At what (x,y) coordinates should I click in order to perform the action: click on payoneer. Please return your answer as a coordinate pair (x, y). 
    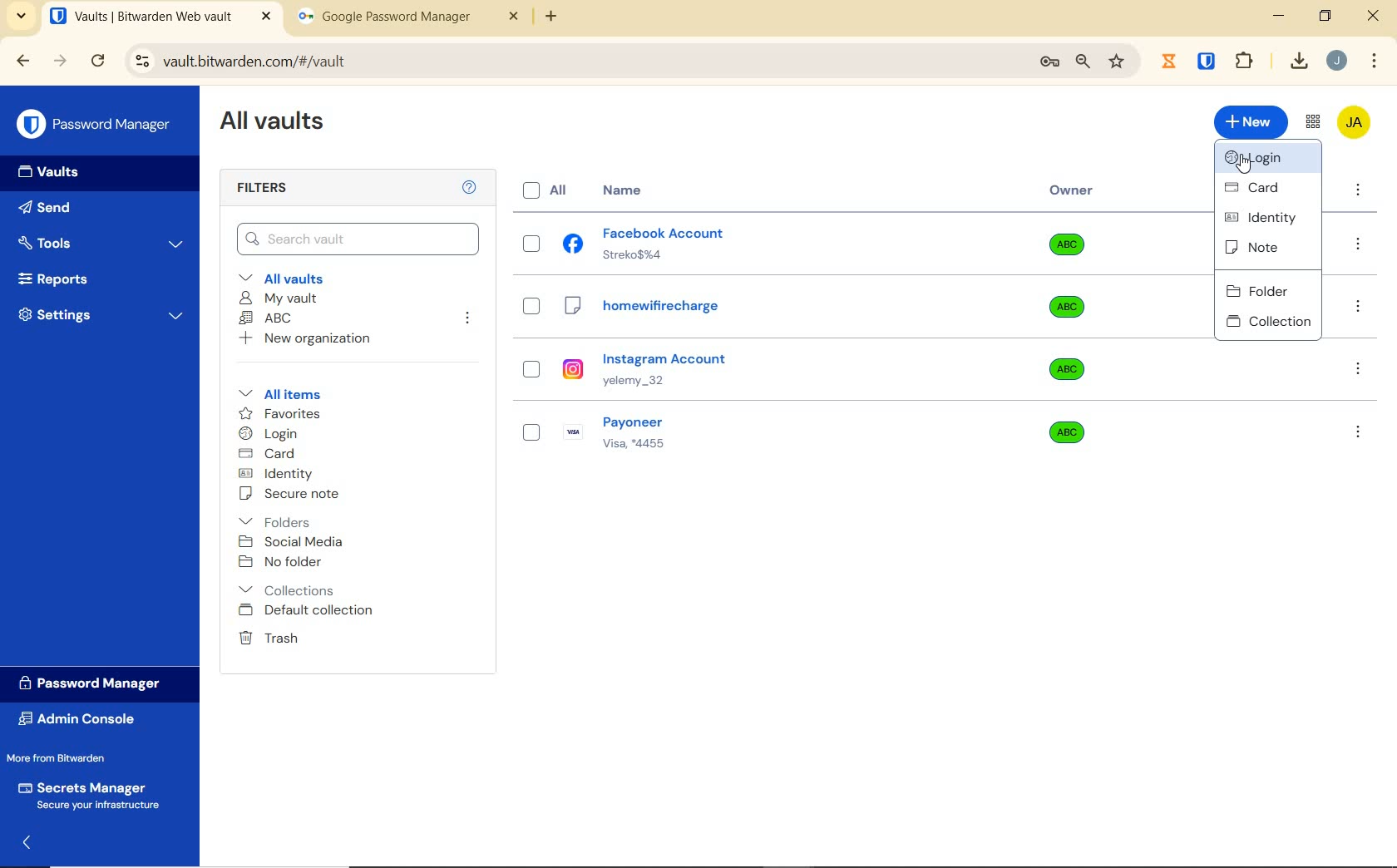
    Looking at the image, I should click on (624, 432).